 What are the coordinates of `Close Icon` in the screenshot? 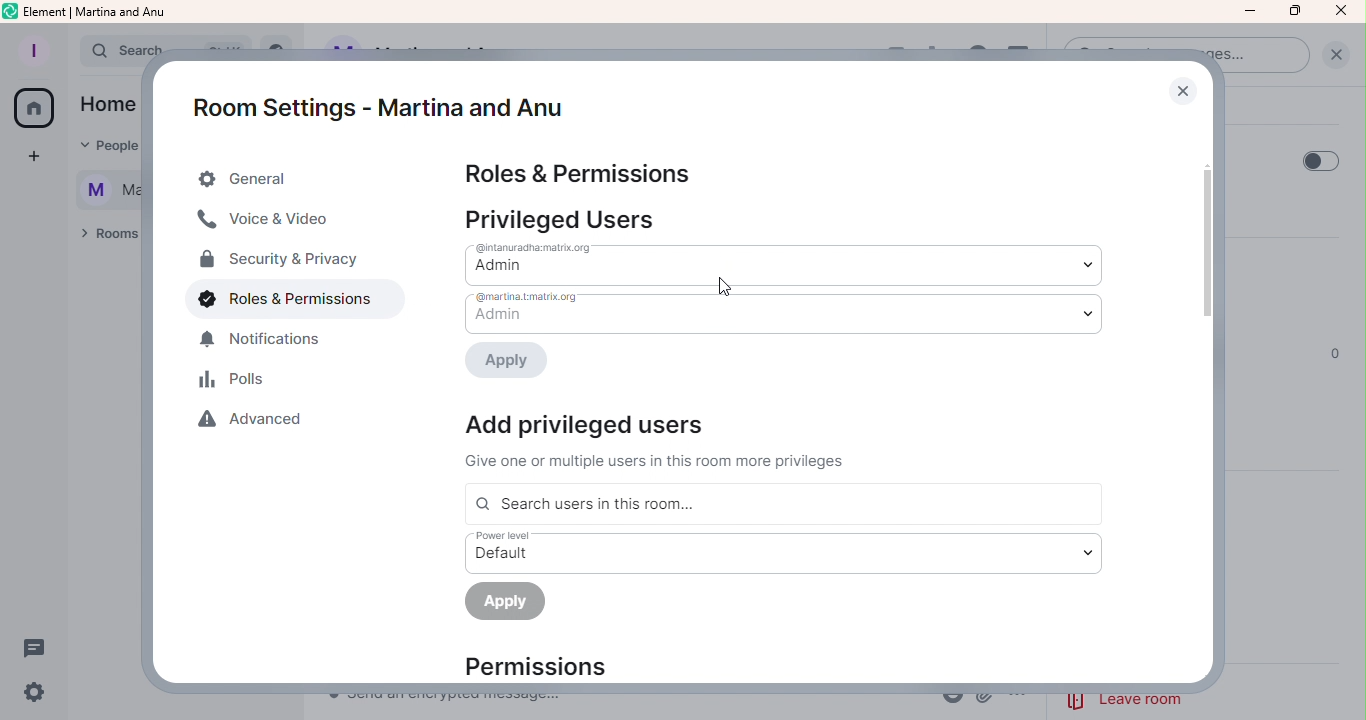 It's located at (1342, 12).